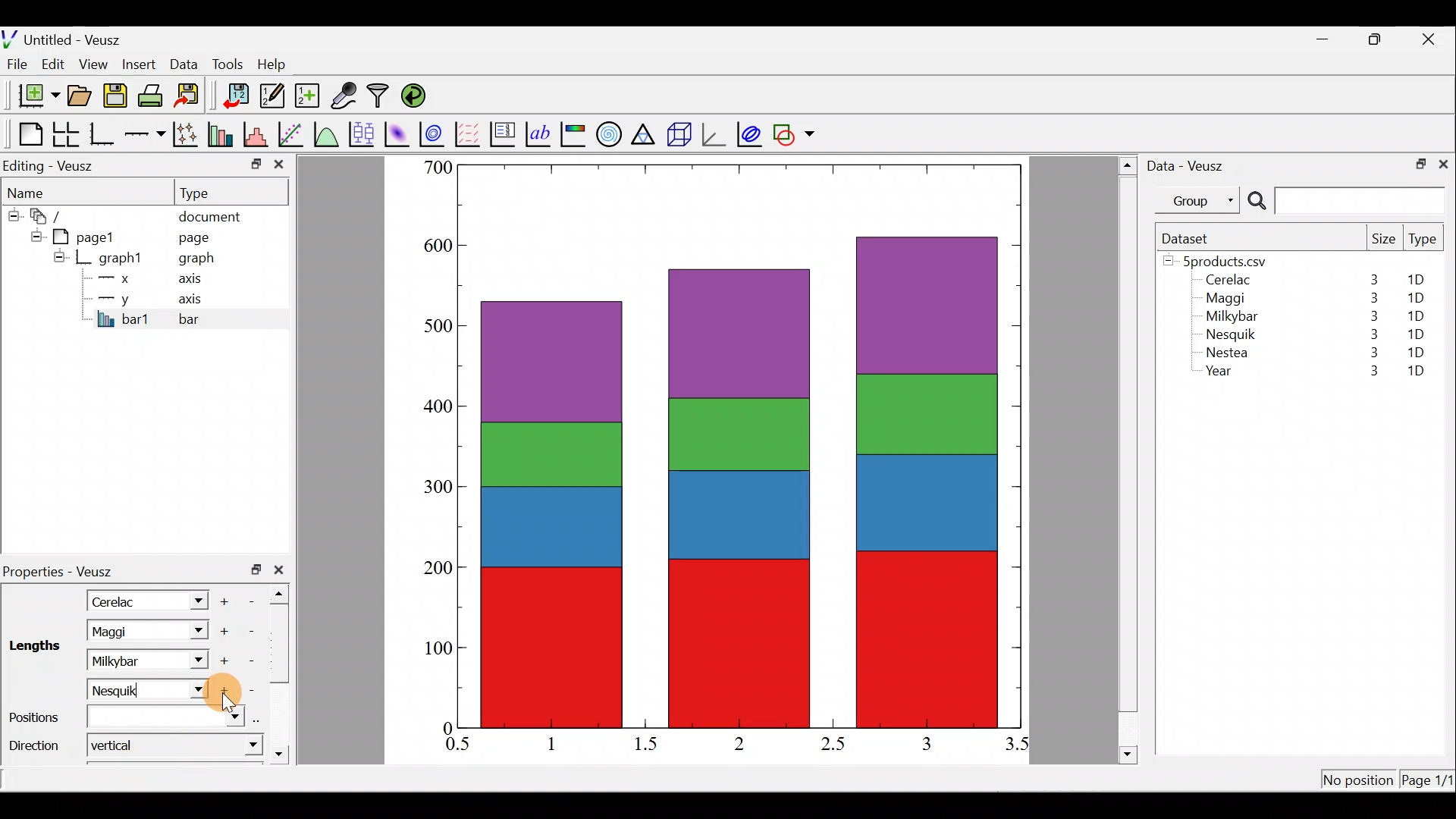  What do you see at coordinates (64, 572) in the screenshot?
I see `Properties - Veusz` at bounding box center [64, 572].